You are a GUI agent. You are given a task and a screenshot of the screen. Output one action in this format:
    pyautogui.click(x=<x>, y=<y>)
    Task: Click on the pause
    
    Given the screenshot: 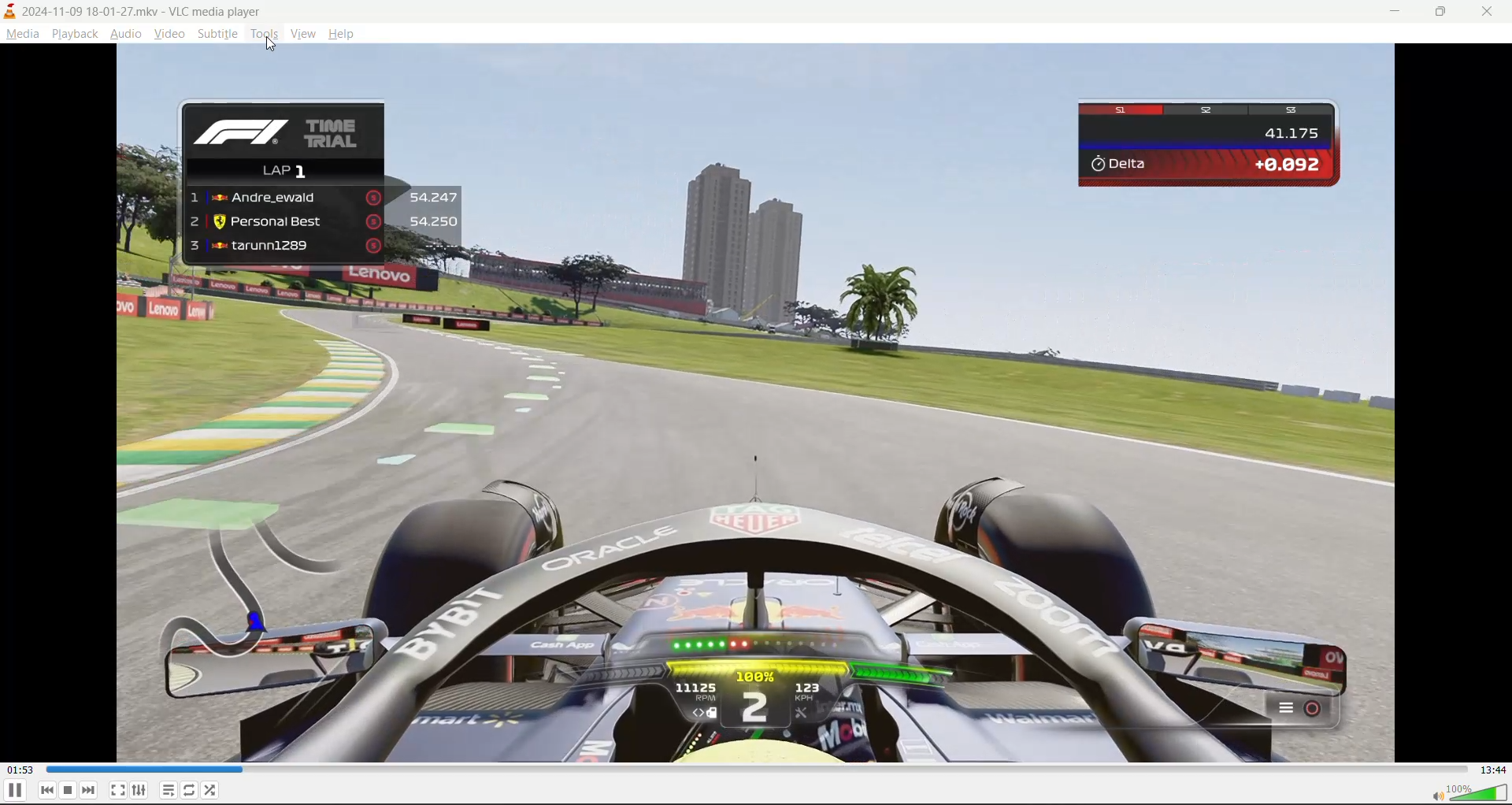 What is the action you would take?
    pyautogui.click(x=14, y=792)
    